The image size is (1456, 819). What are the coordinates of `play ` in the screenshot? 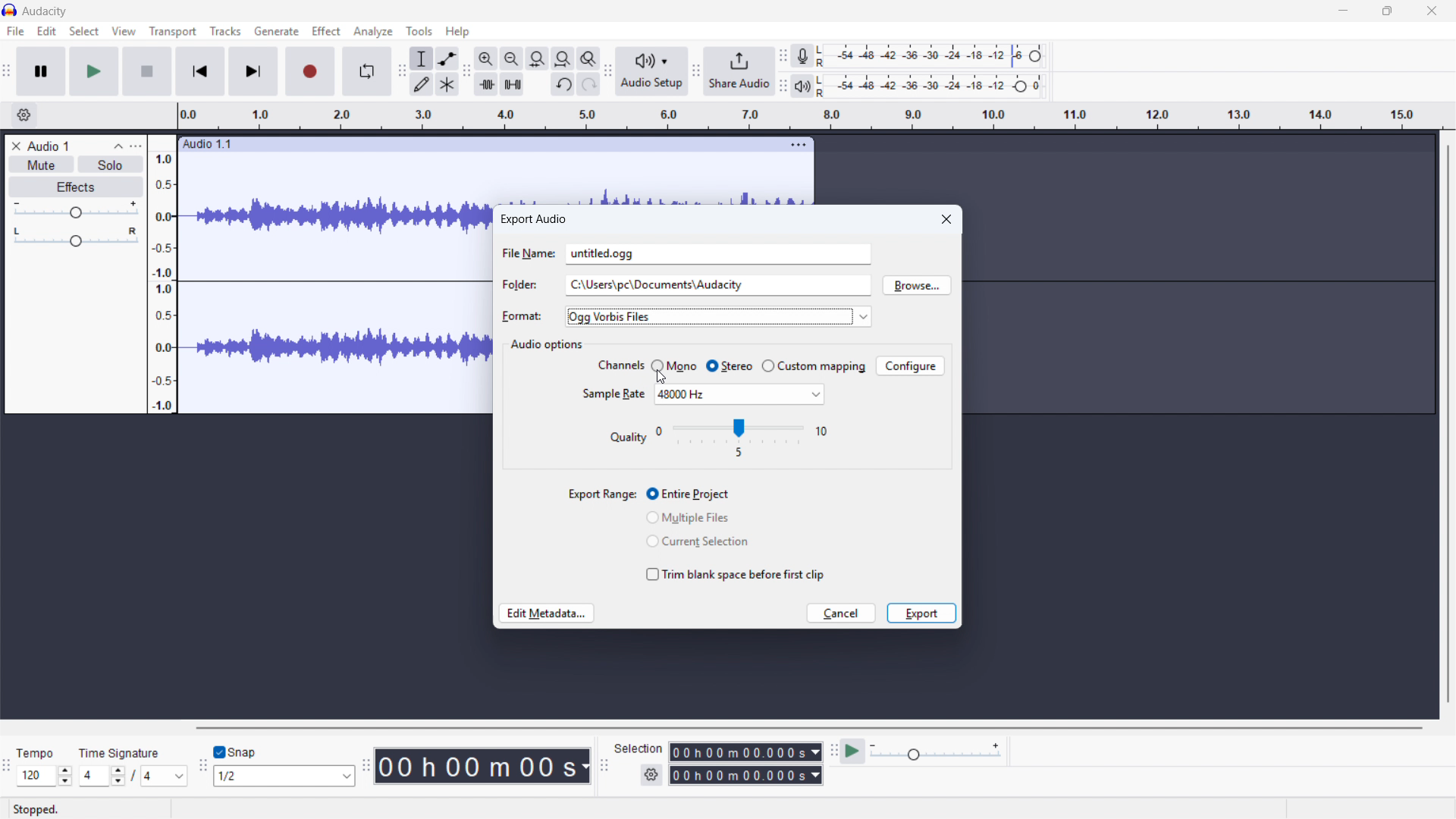 It's located at (95, 72).